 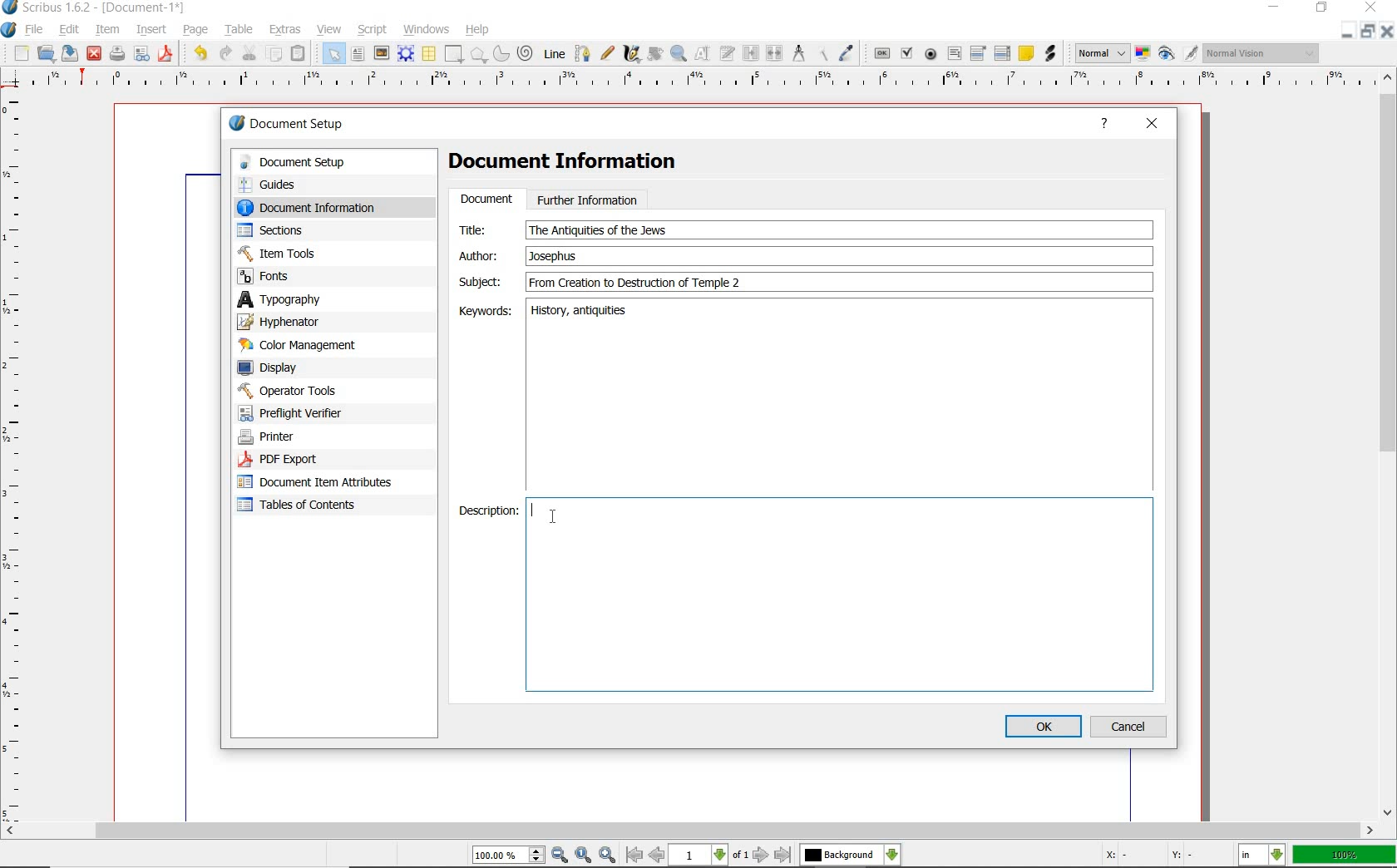 What do you see at coordinates (1261, 855) in the screenshot?
I see `select the current unit` at bounding box center [1261, 855].